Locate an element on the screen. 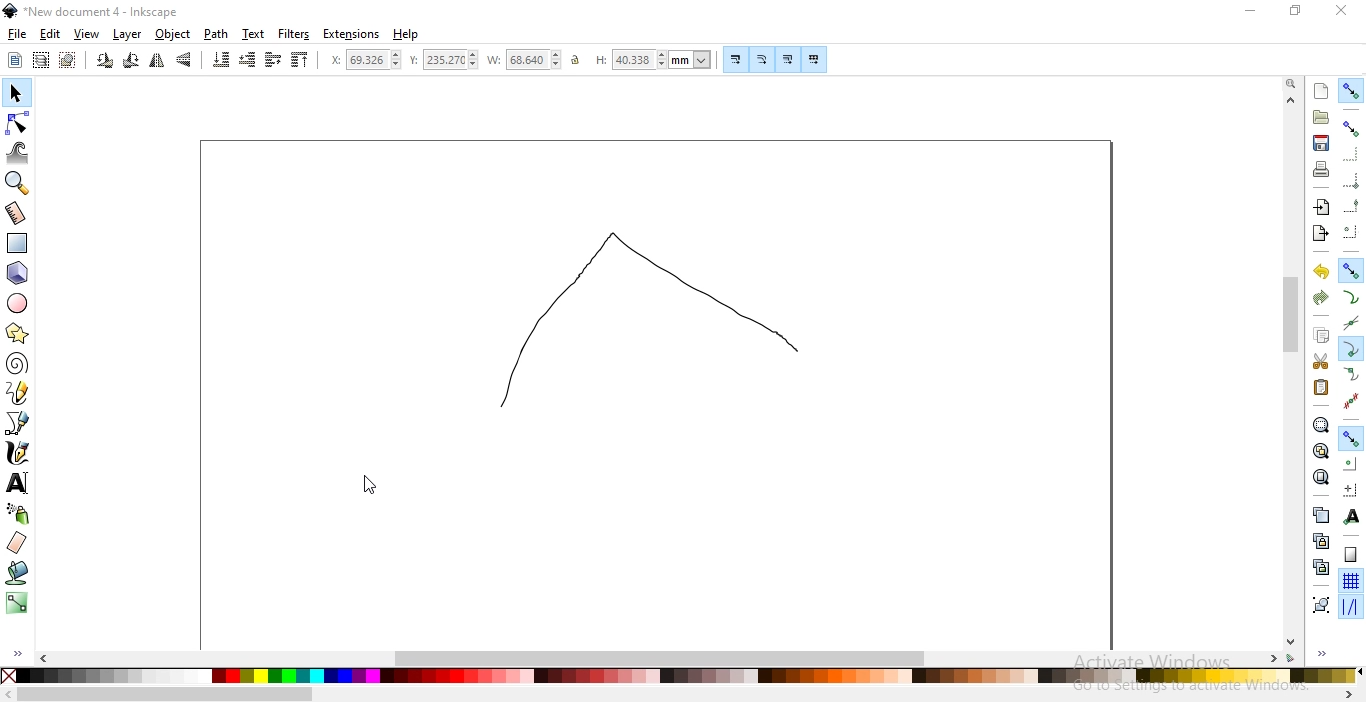 This screenshot has height=702, width=1366. width of selection is located at coordinates (524, 60).